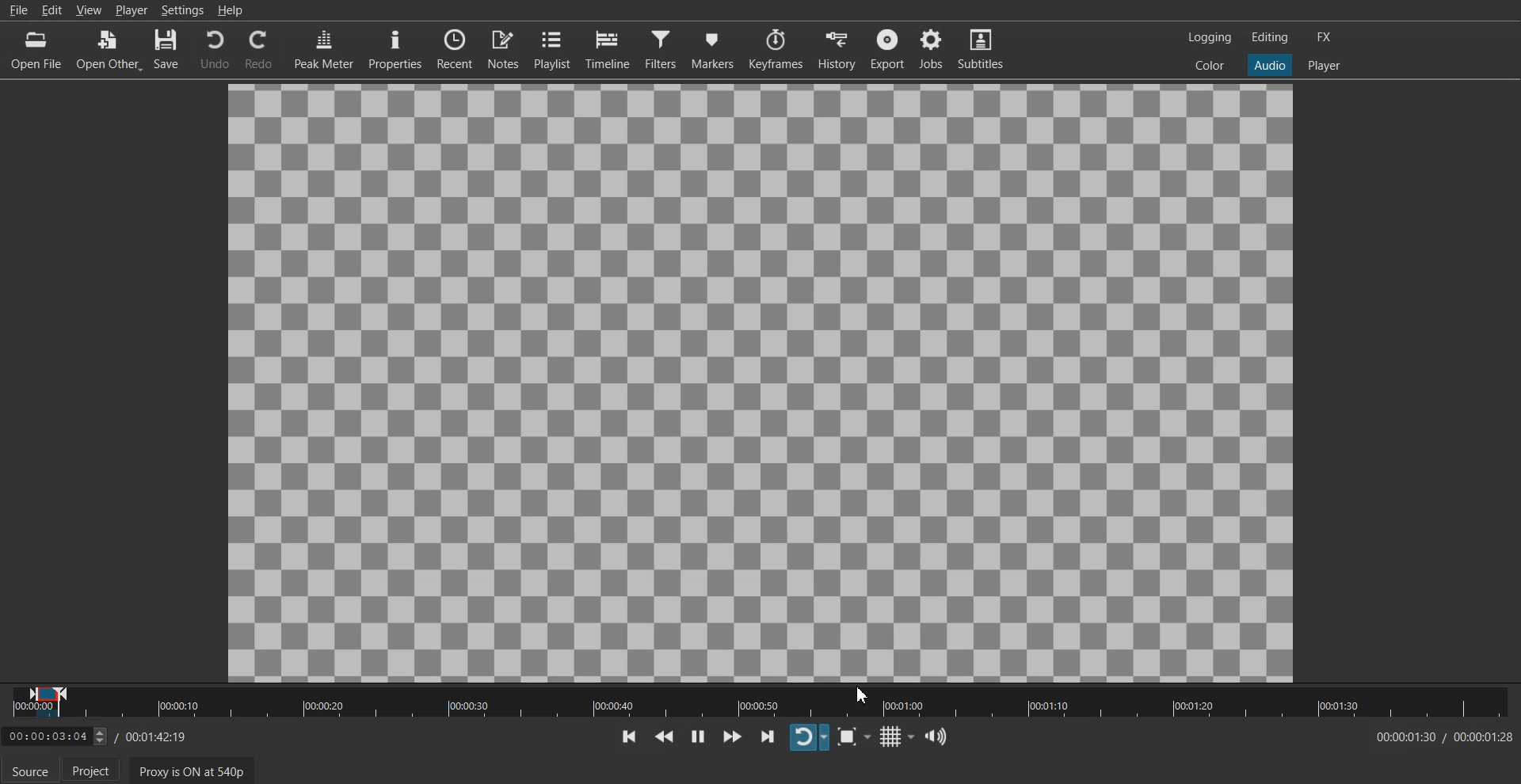 The image size is (1521, 784). Describe the element at coordinates (732, 736) in the screenshot. I see `Play Quickly Forwards` at that location.